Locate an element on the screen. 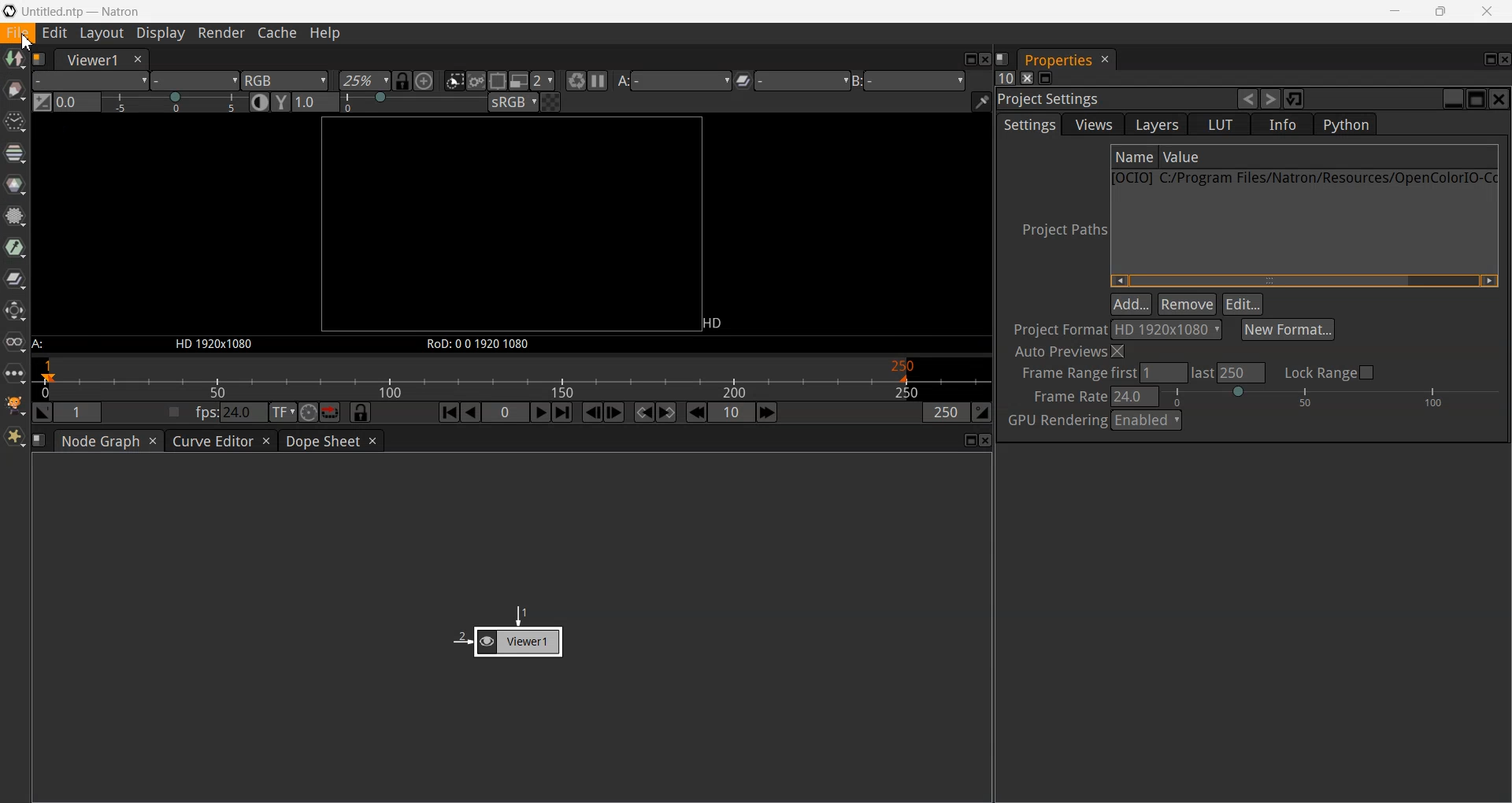 This screenshot has width=1512, height=803. Play forward is located at coordinates (542, 413).